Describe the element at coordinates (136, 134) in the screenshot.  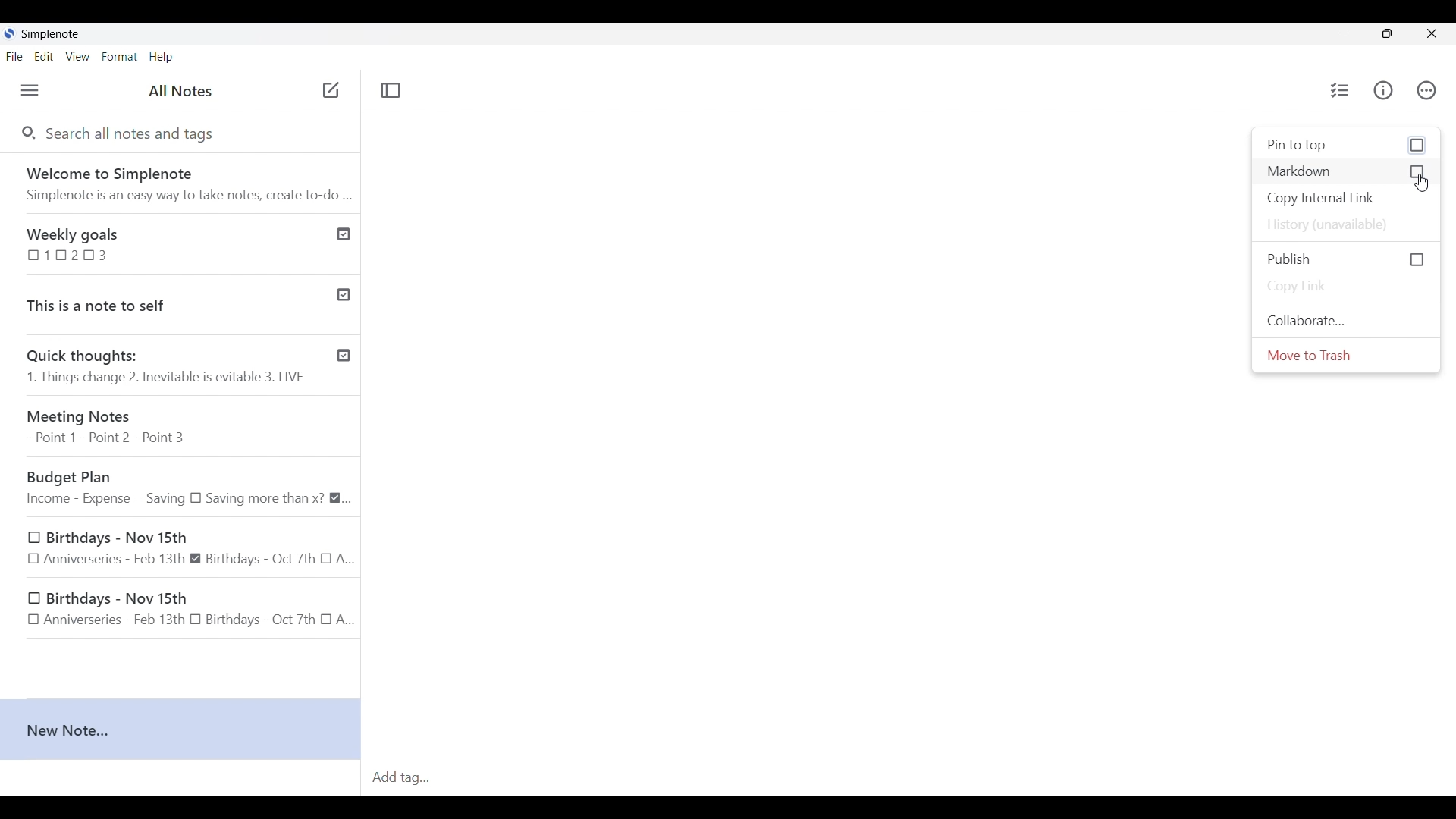
I see `Search all notes and tags` at that location.